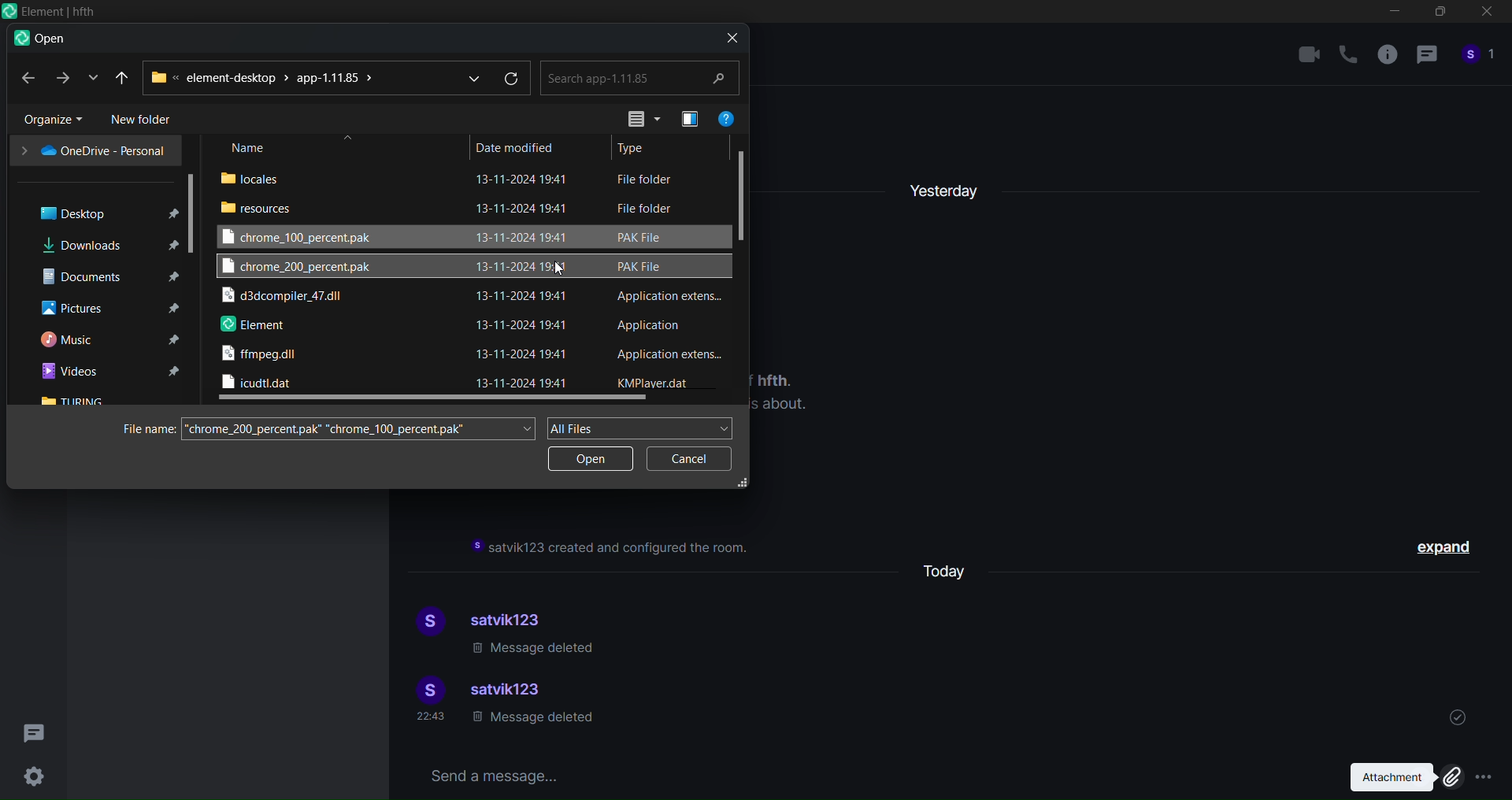 The image size is (1512, 800). Describe the element at coordinates (76, 401) in the screenshot. I see `turing folder` at that location.